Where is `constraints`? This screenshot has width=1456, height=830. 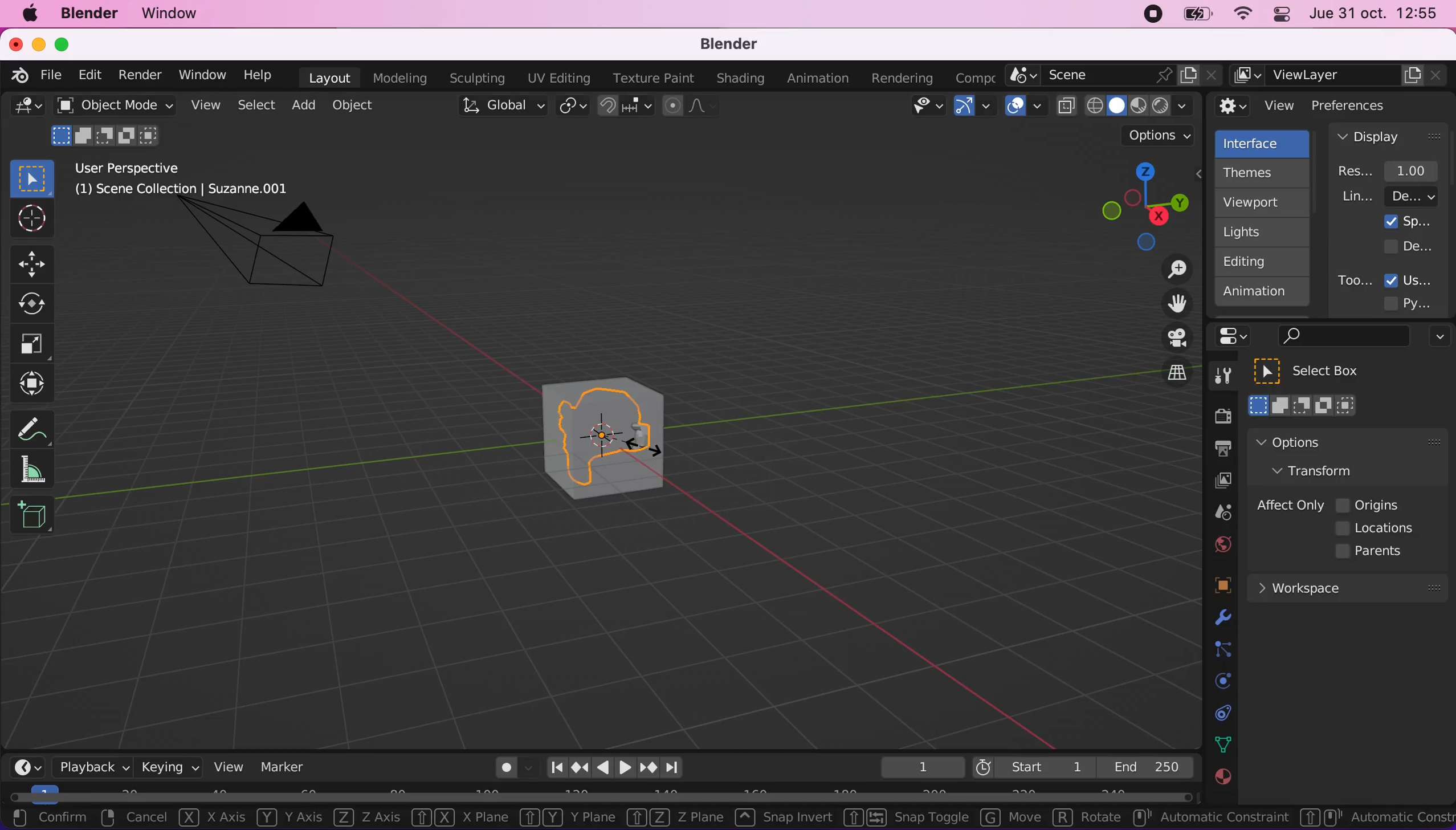 constraints is located at coordinates (1221, 650).